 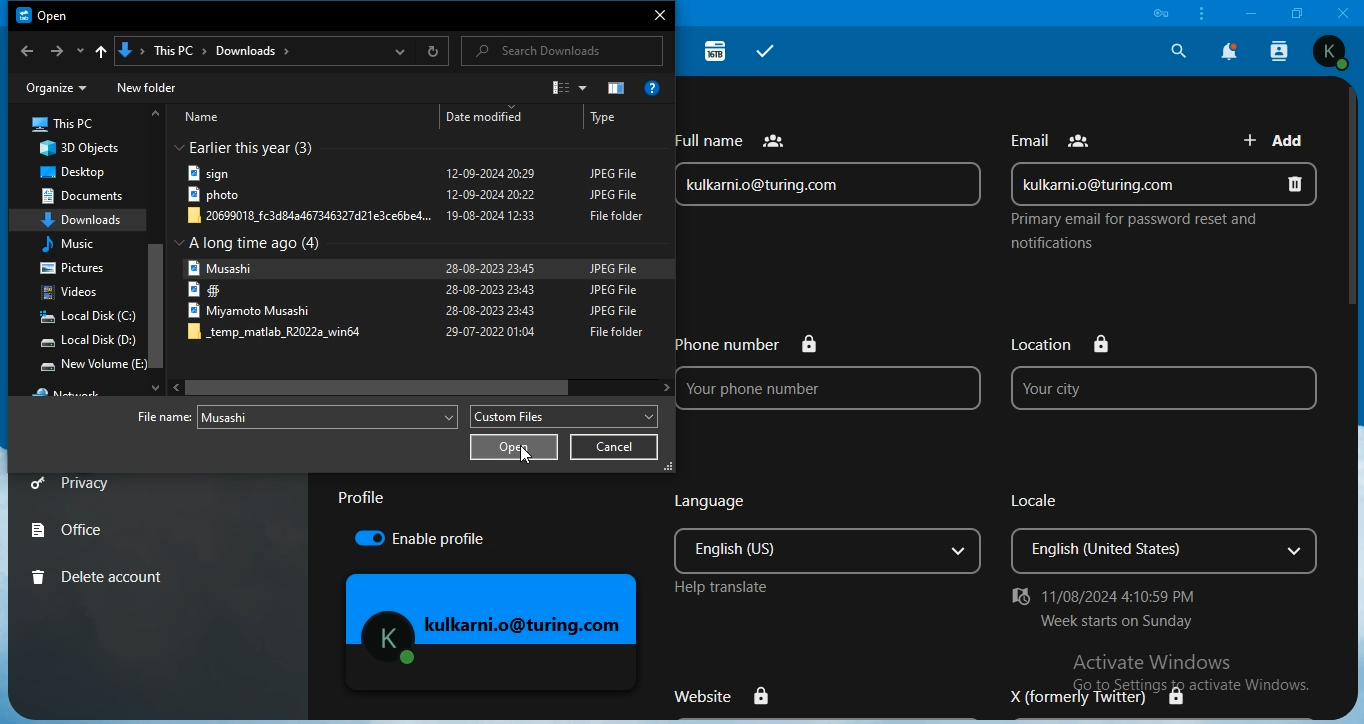 What do you see at coordinates (1279, 138) in the screenshot?
I see `add` at bounding box center [1279, 138].